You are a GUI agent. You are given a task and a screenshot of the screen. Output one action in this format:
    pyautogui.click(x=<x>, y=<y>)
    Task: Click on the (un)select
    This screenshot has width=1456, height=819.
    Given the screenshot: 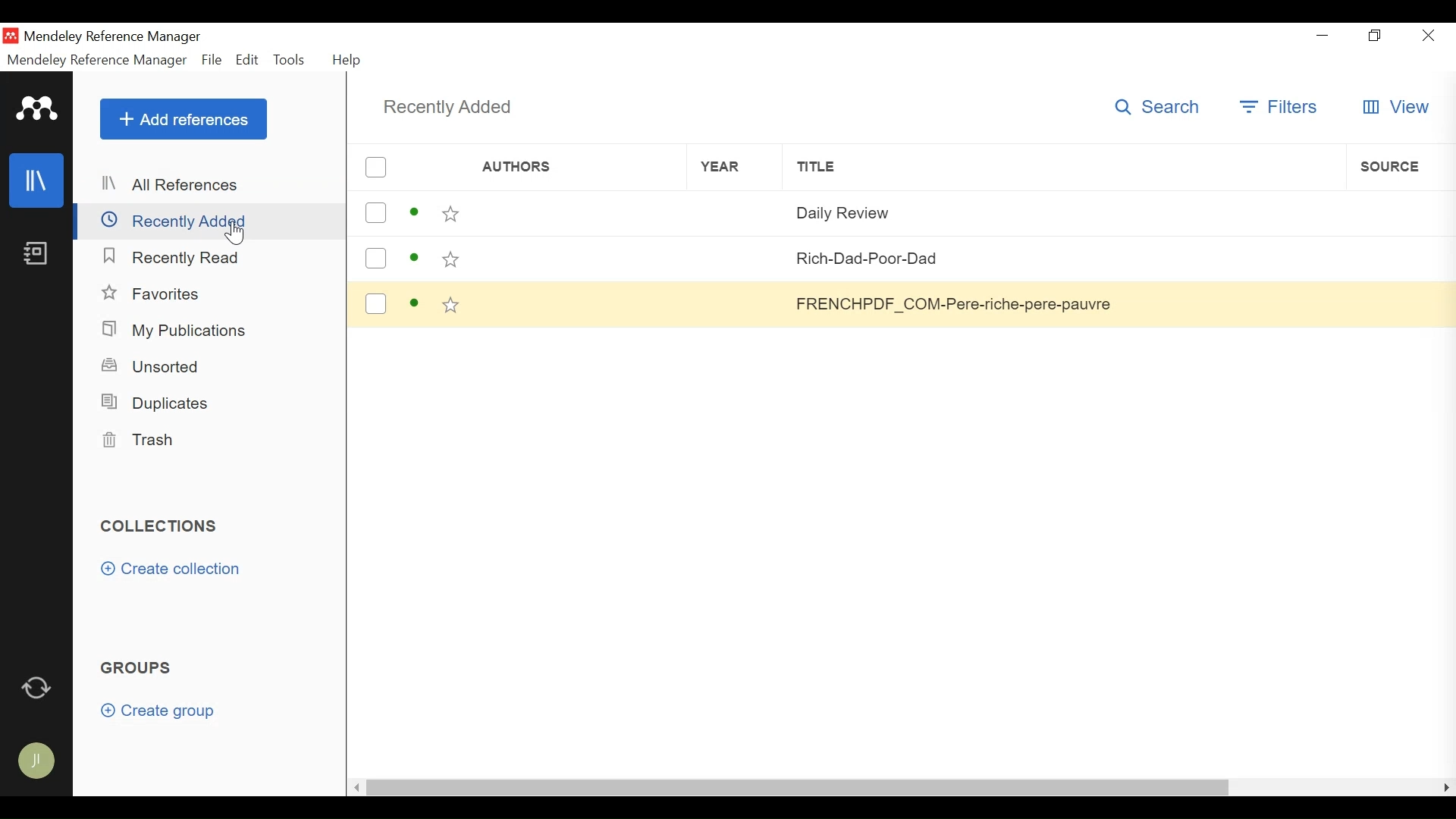 What is the action you would take?
    pyautogui.click(x=375, y=305)
    